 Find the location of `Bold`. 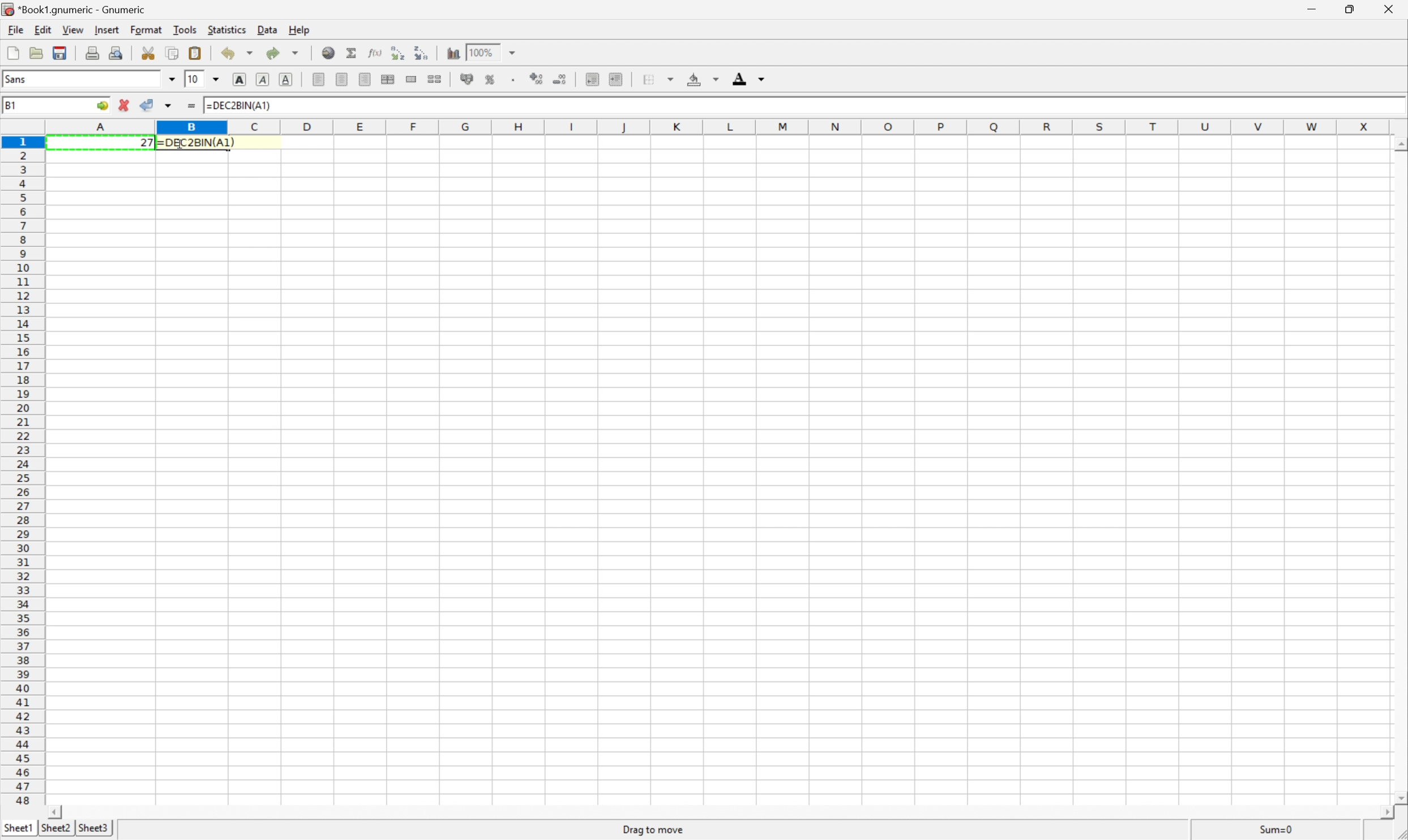

Bold is located at coordinates (238, 79).